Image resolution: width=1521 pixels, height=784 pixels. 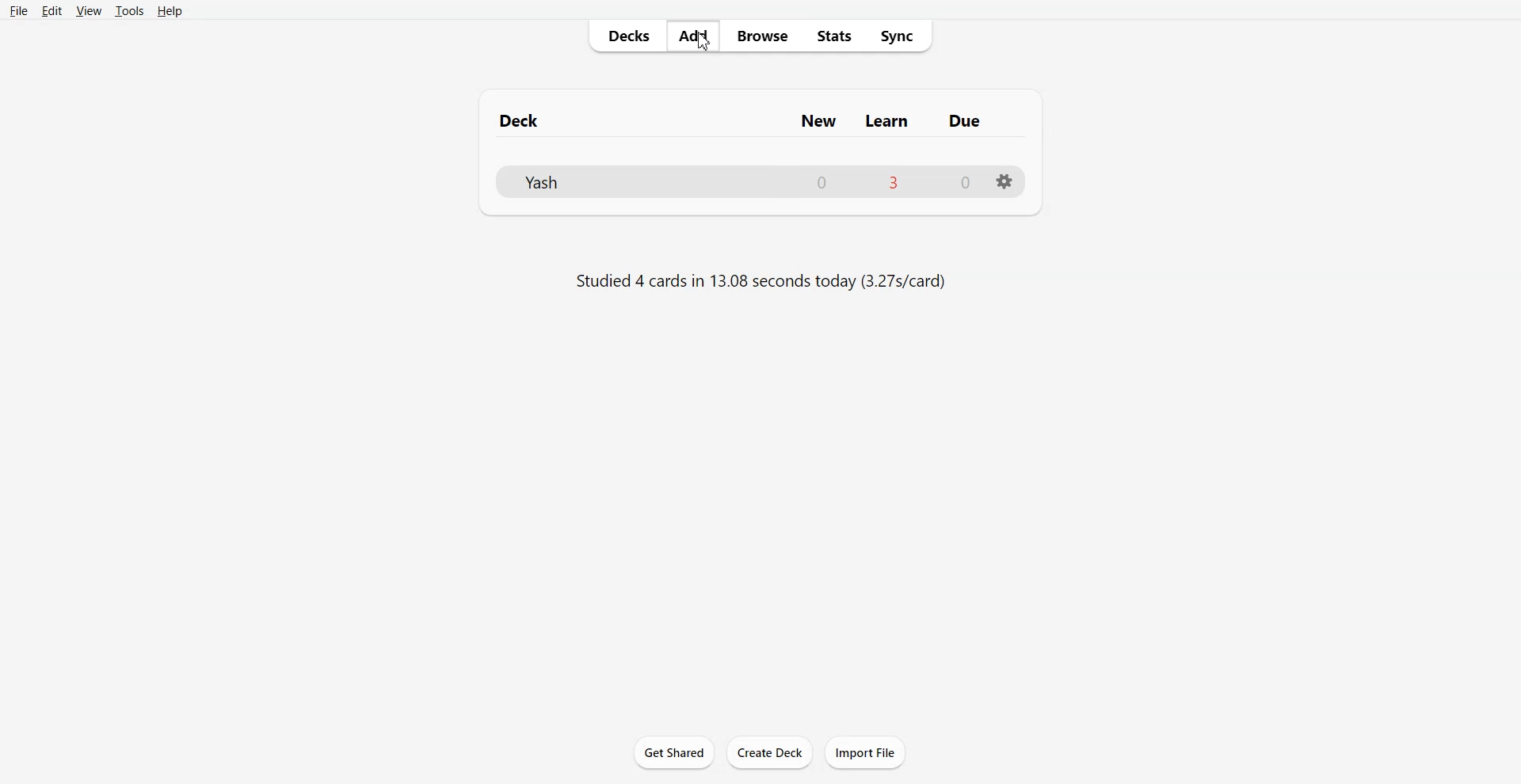 I want to click on Text 2, so click(x=759, y=280).